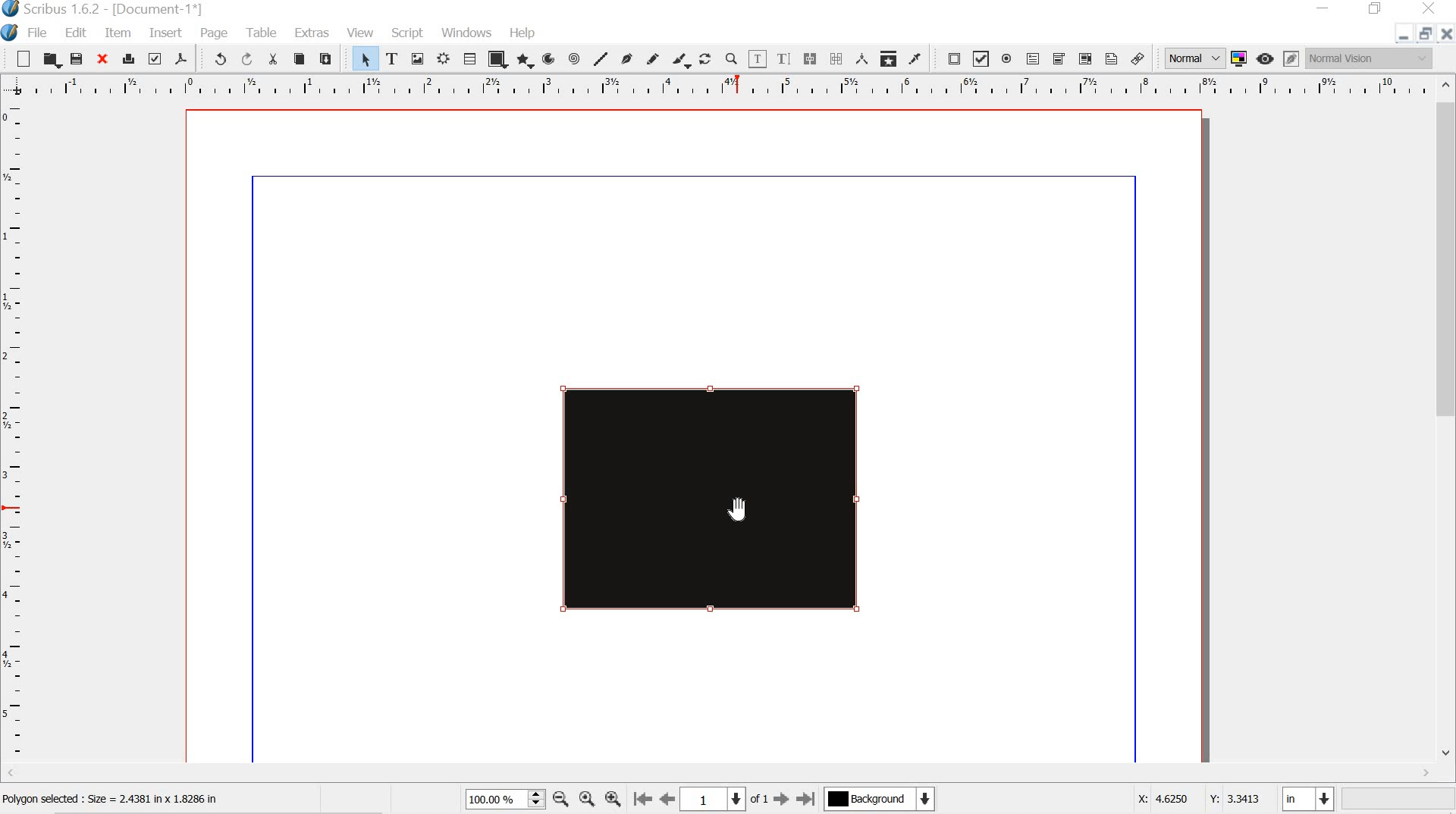  What do you see at coordinates (810, 60) in the screenshot?
I see `link text frame` at bounding box center [810, 60].